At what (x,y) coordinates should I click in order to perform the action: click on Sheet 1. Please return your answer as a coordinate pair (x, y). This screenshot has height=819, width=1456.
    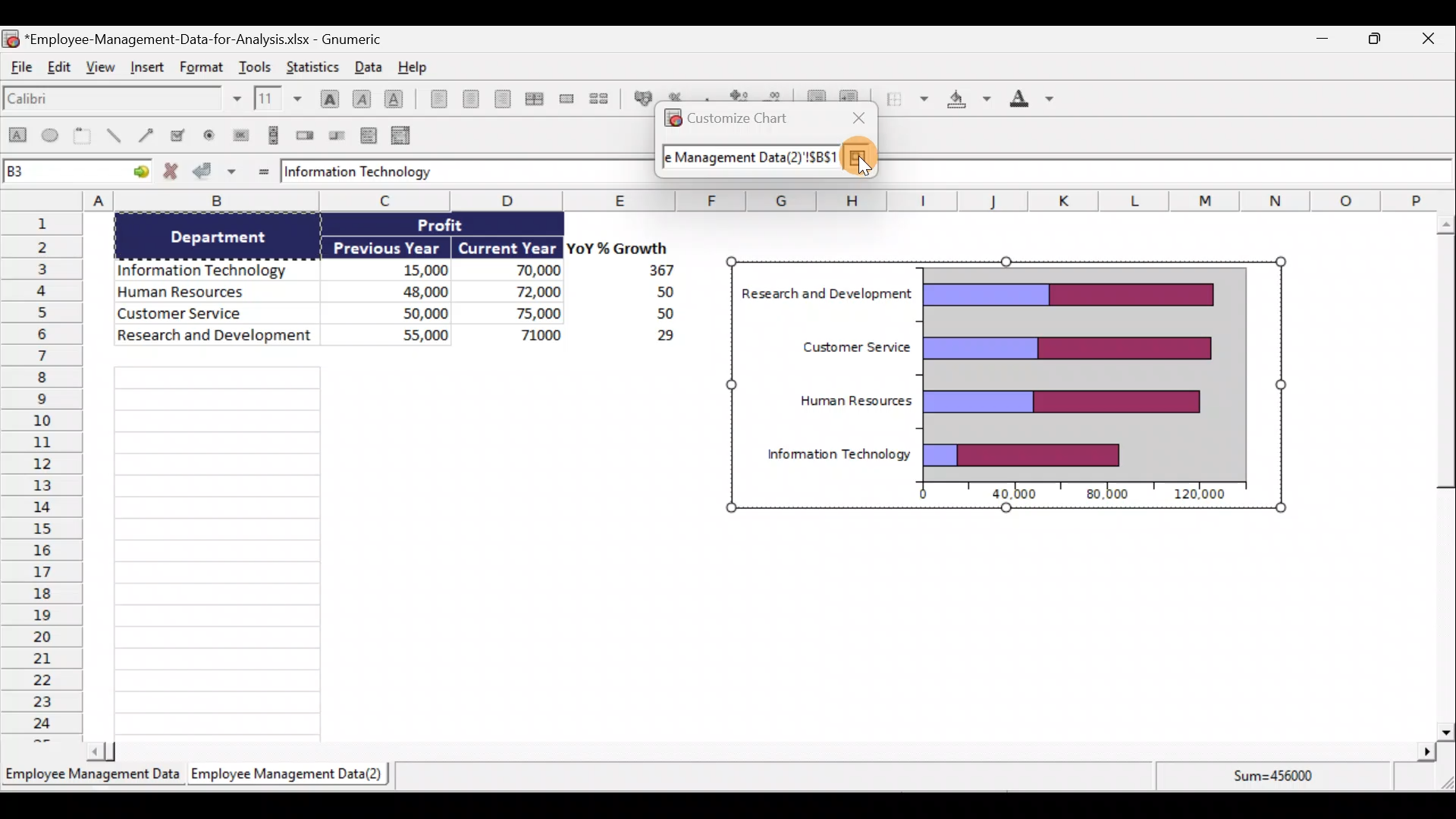
    Looking at the image, I should click on (93, 778).